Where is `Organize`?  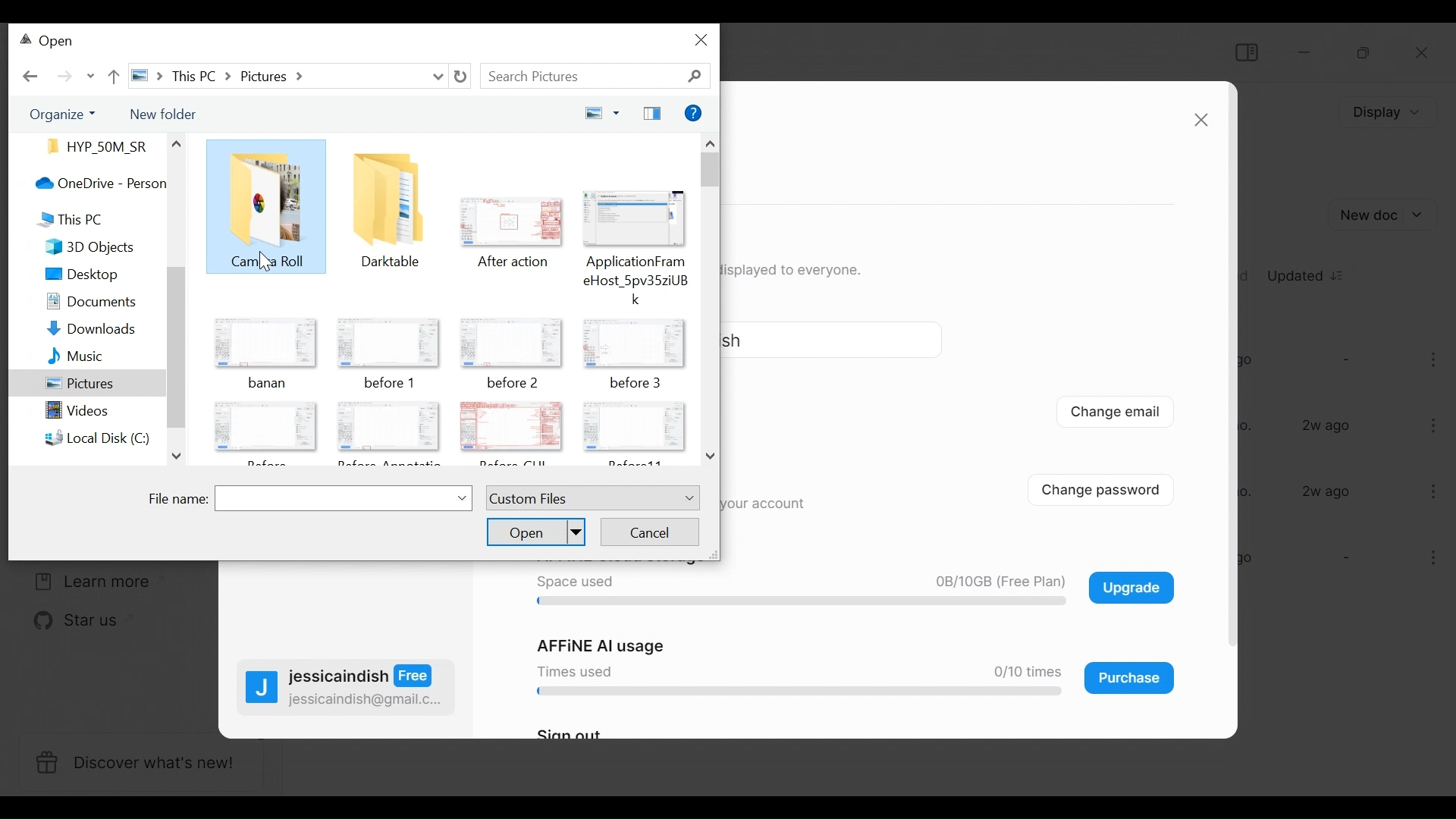 Organize is located at coordinates (58, 114).